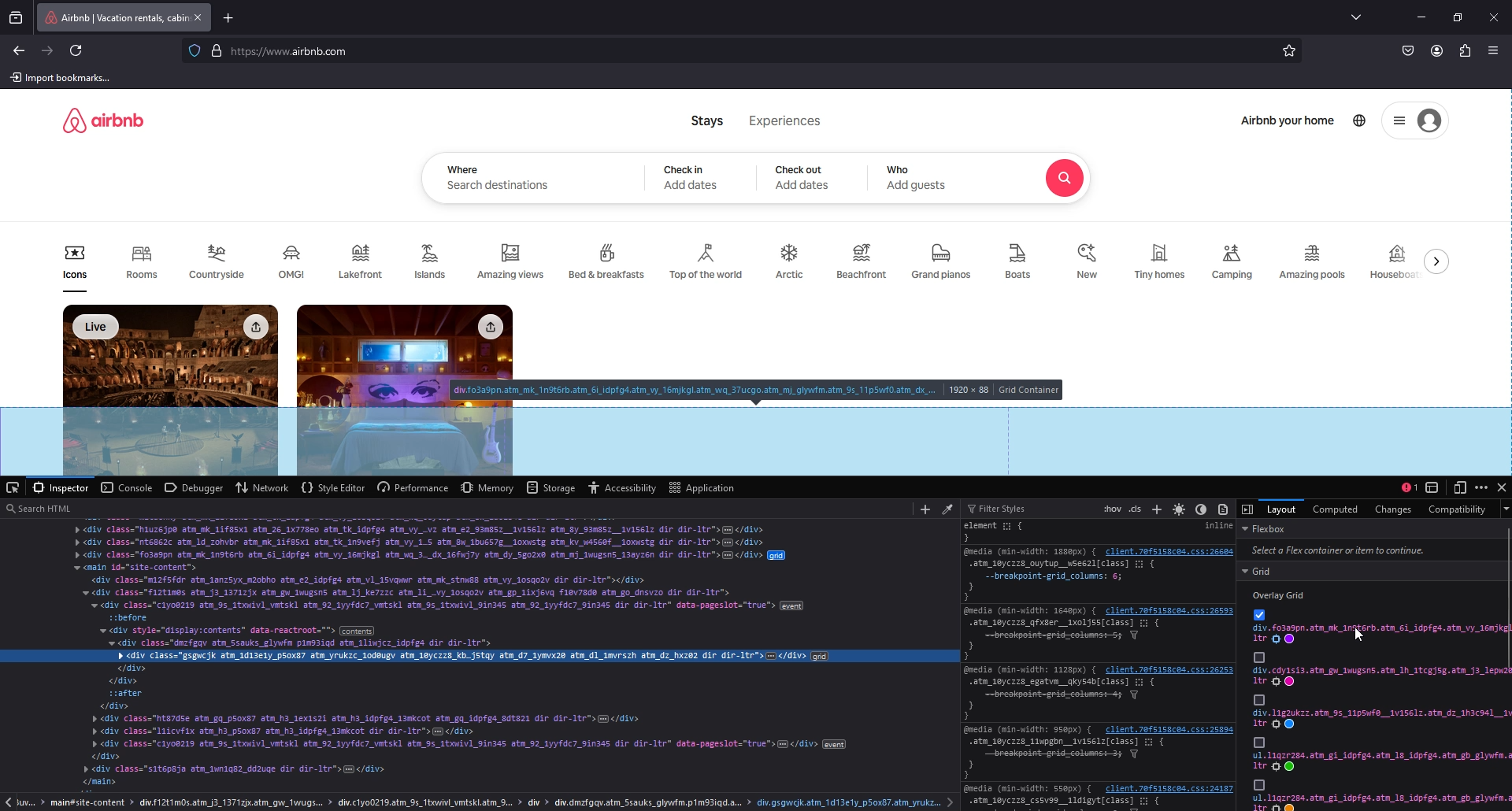 Image resolution: width=1512 pixels, height=811 pixels. What do you see at coordinates (862, 263) in the screenshot?
I see `Beachfront` at bounding box center [862, 263].